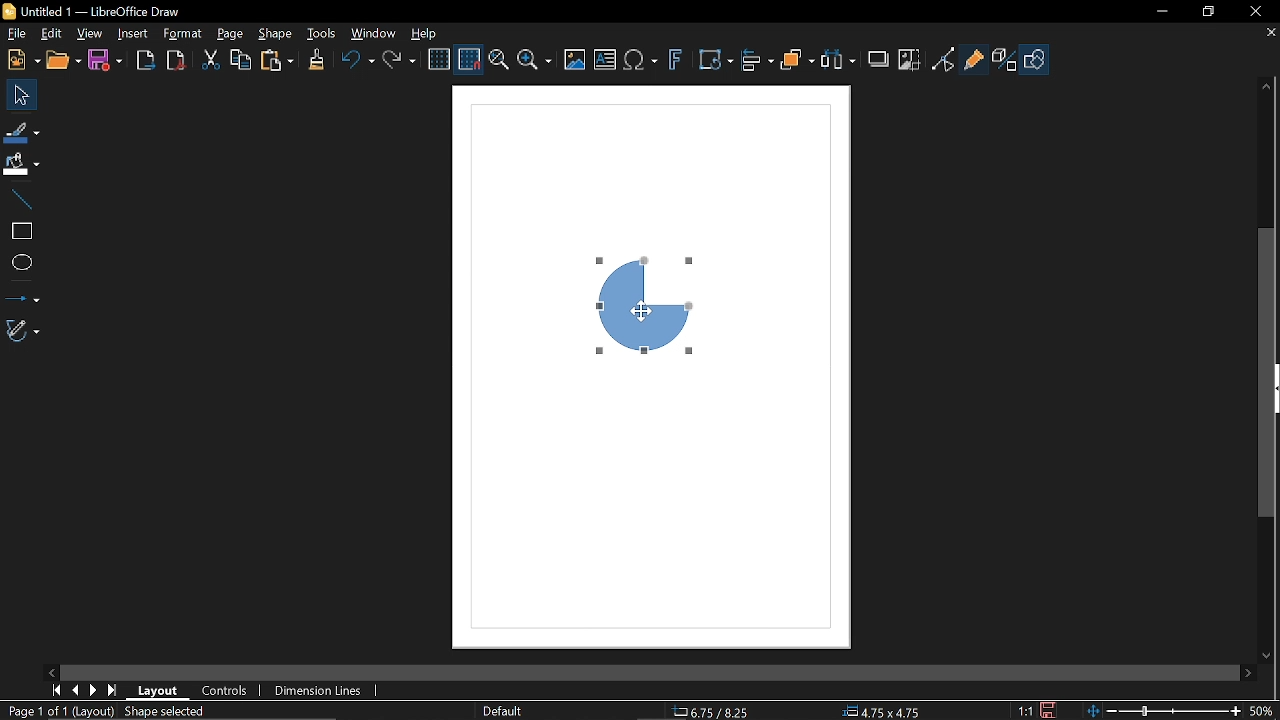  Describe the element at coordinates (160, 690) in the screenshot. I see `Layout` at that location.